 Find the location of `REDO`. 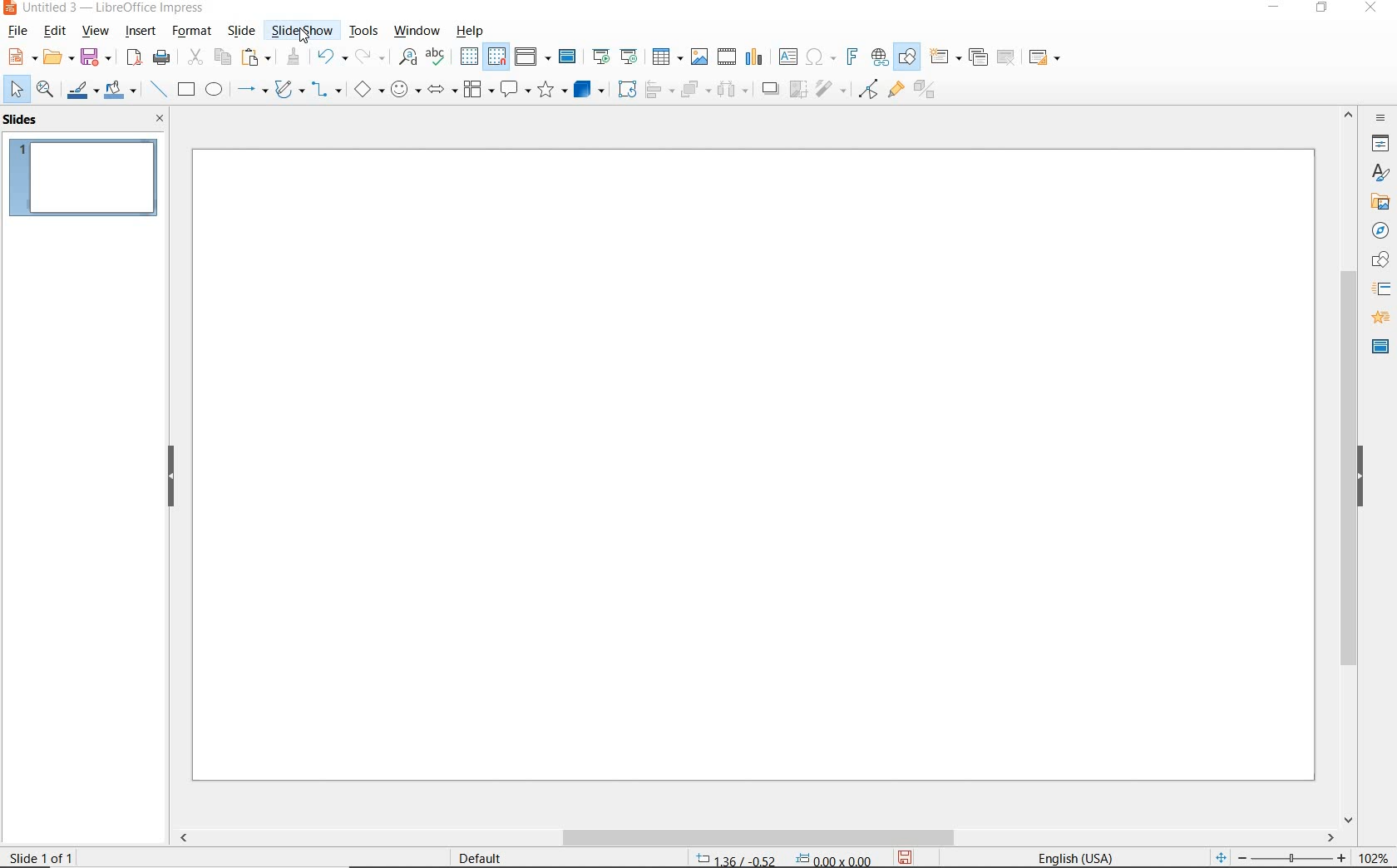

REDO is located at coordinates (368, 57).